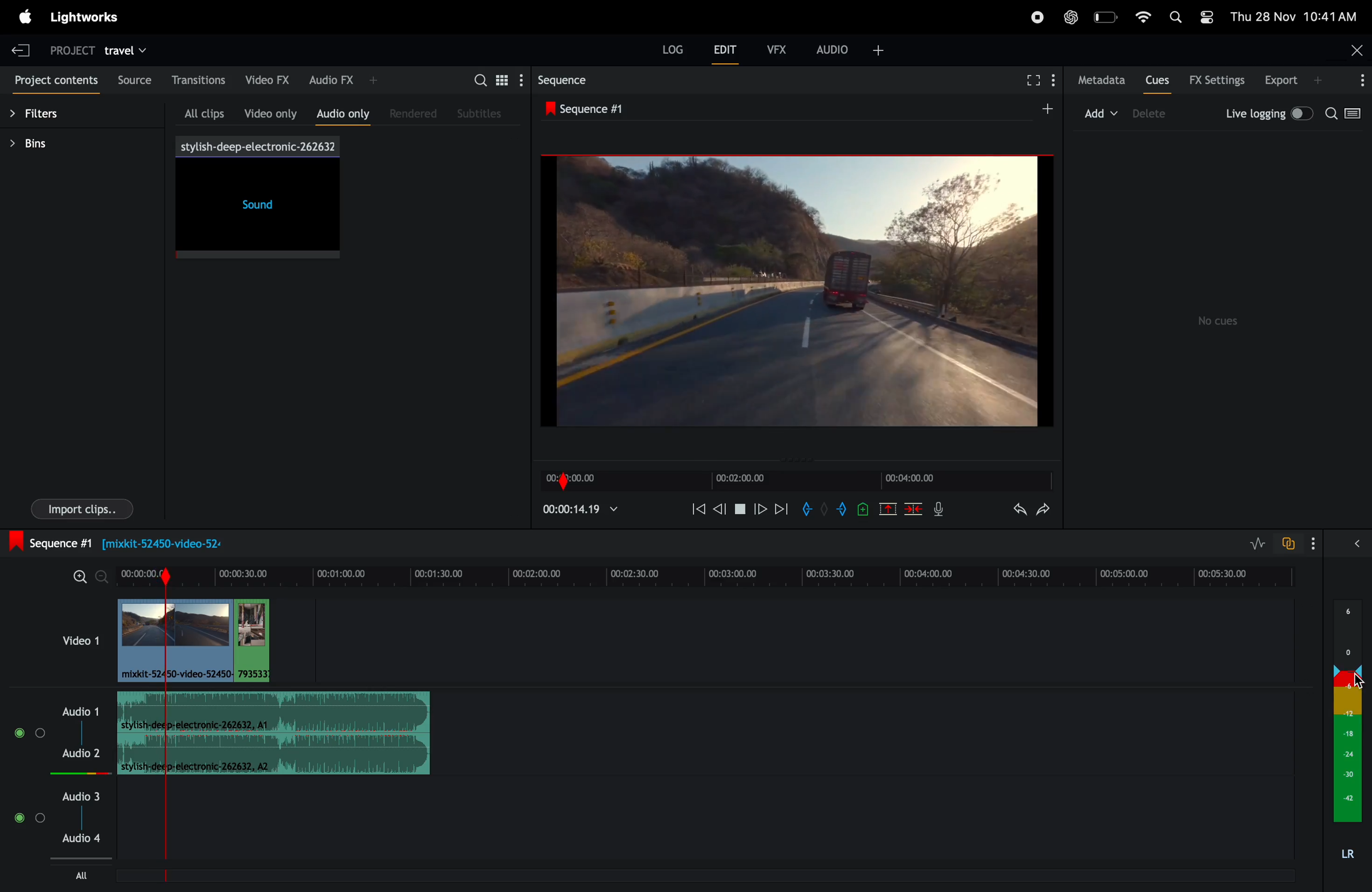 The width and height of the screenshot is (1372, 892). What do you see at coordinates (1158, 114) in the screenshot?
I see `delete` at bounding box center [1158, 114].